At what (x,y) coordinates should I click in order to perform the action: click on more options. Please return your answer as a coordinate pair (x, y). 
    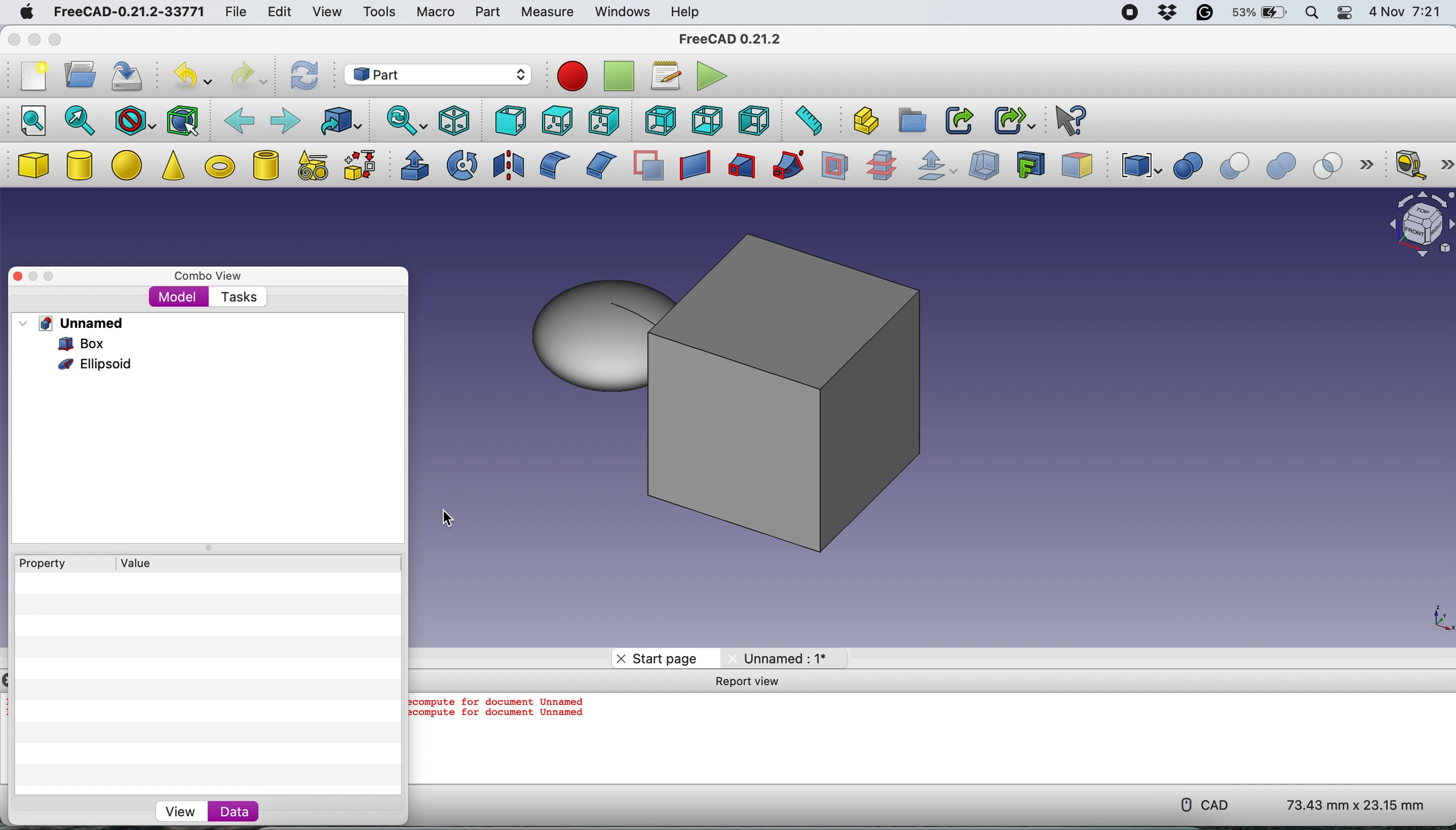
    Looking at the image, I should click on (1371, 166).